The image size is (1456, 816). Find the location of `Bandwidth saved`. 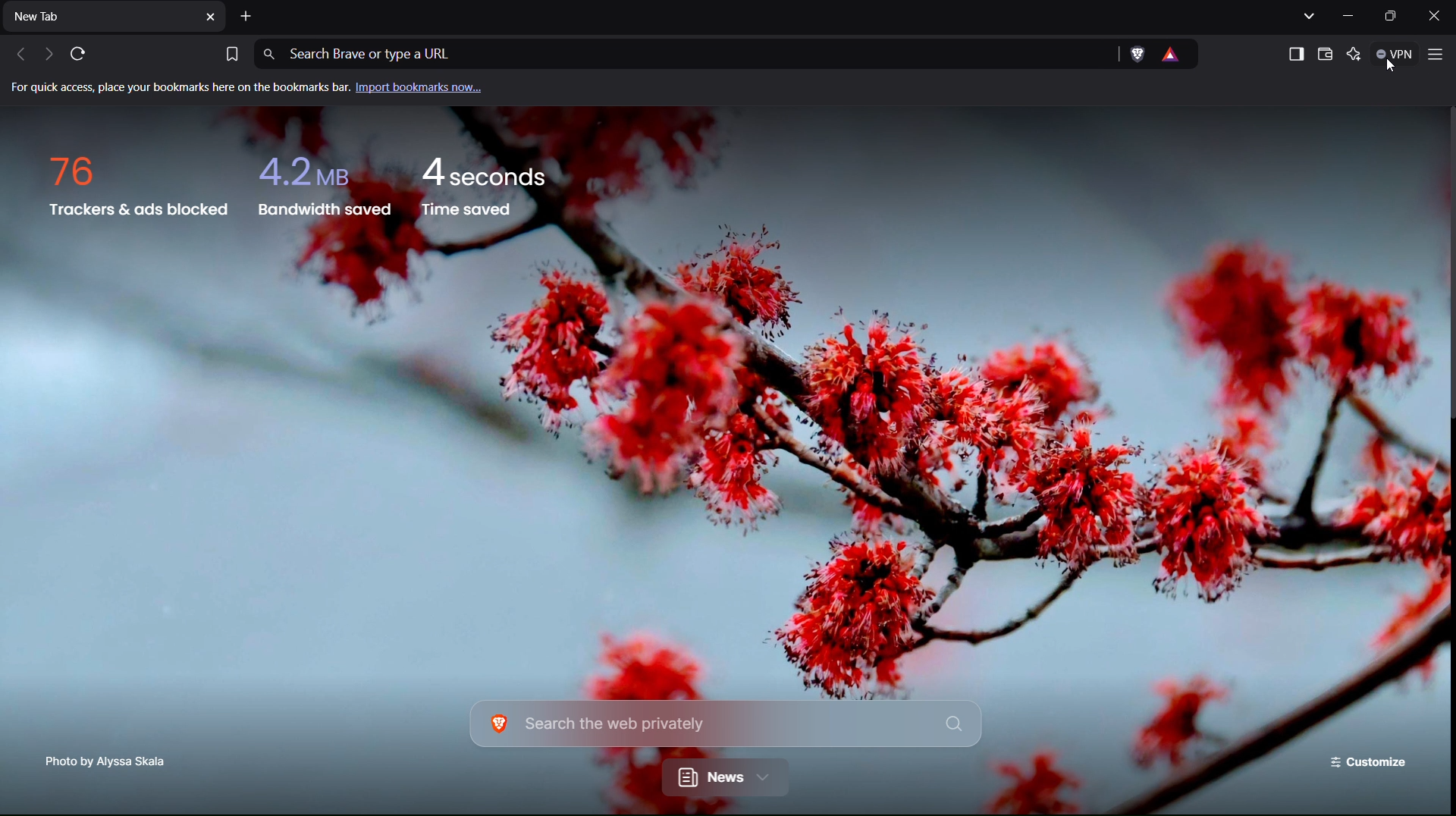

Bandwidth saved is located at coordinates (322, 188).